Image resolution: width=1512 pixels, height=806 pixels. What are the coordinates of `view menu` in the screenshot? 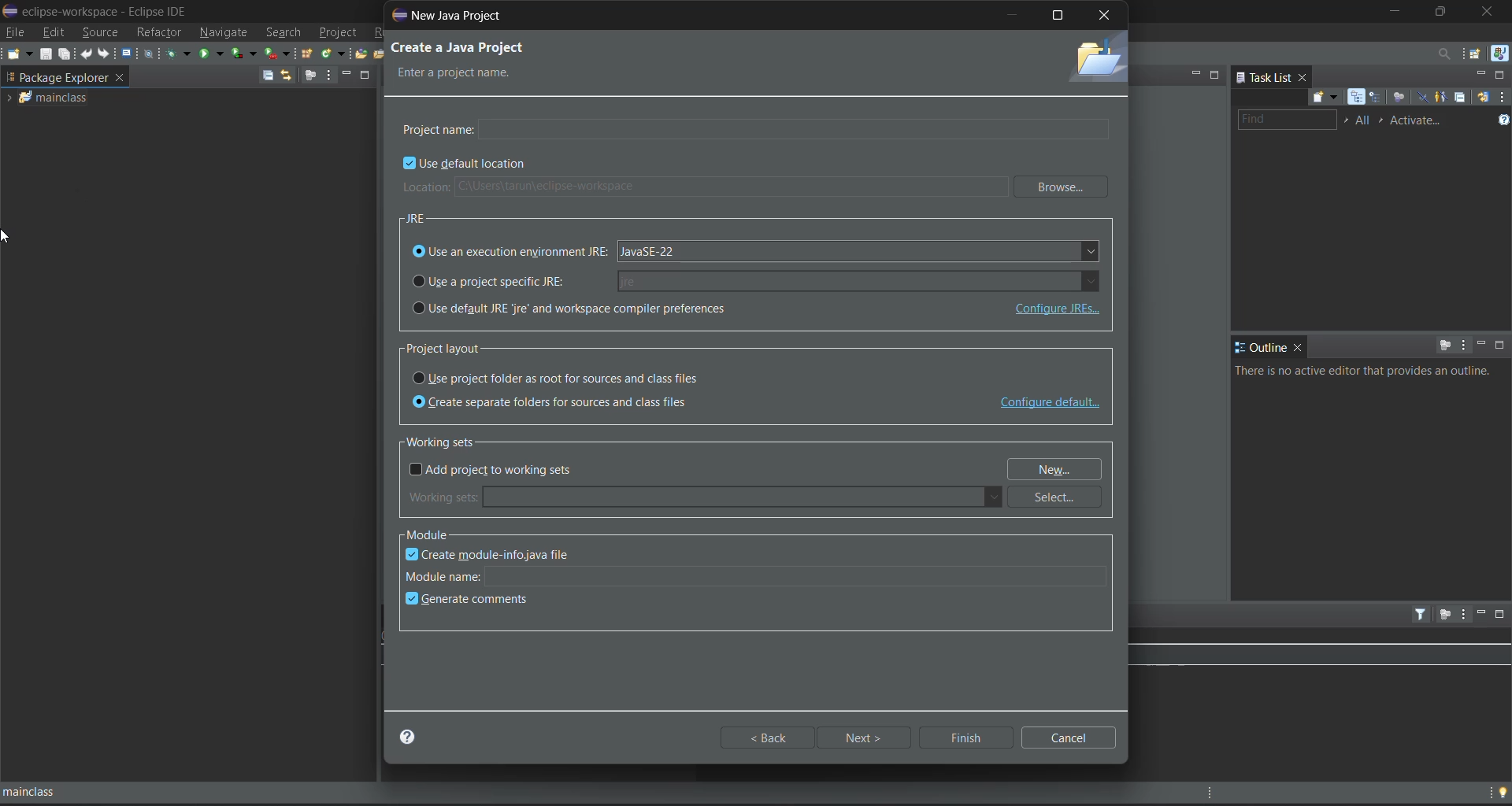 It's located at (1463, 615).